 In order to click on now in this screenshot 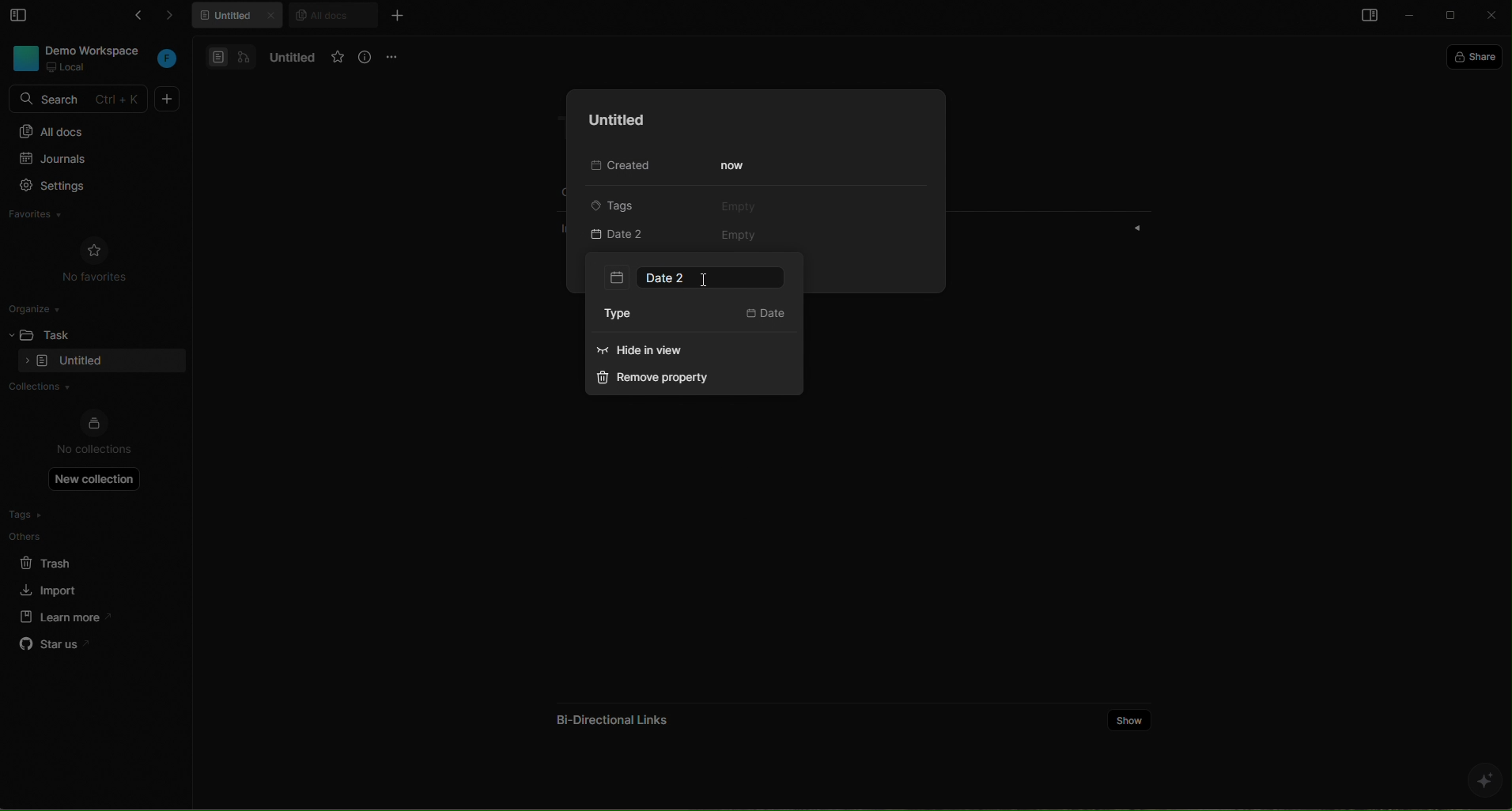, I will do `click(735, 166)`.